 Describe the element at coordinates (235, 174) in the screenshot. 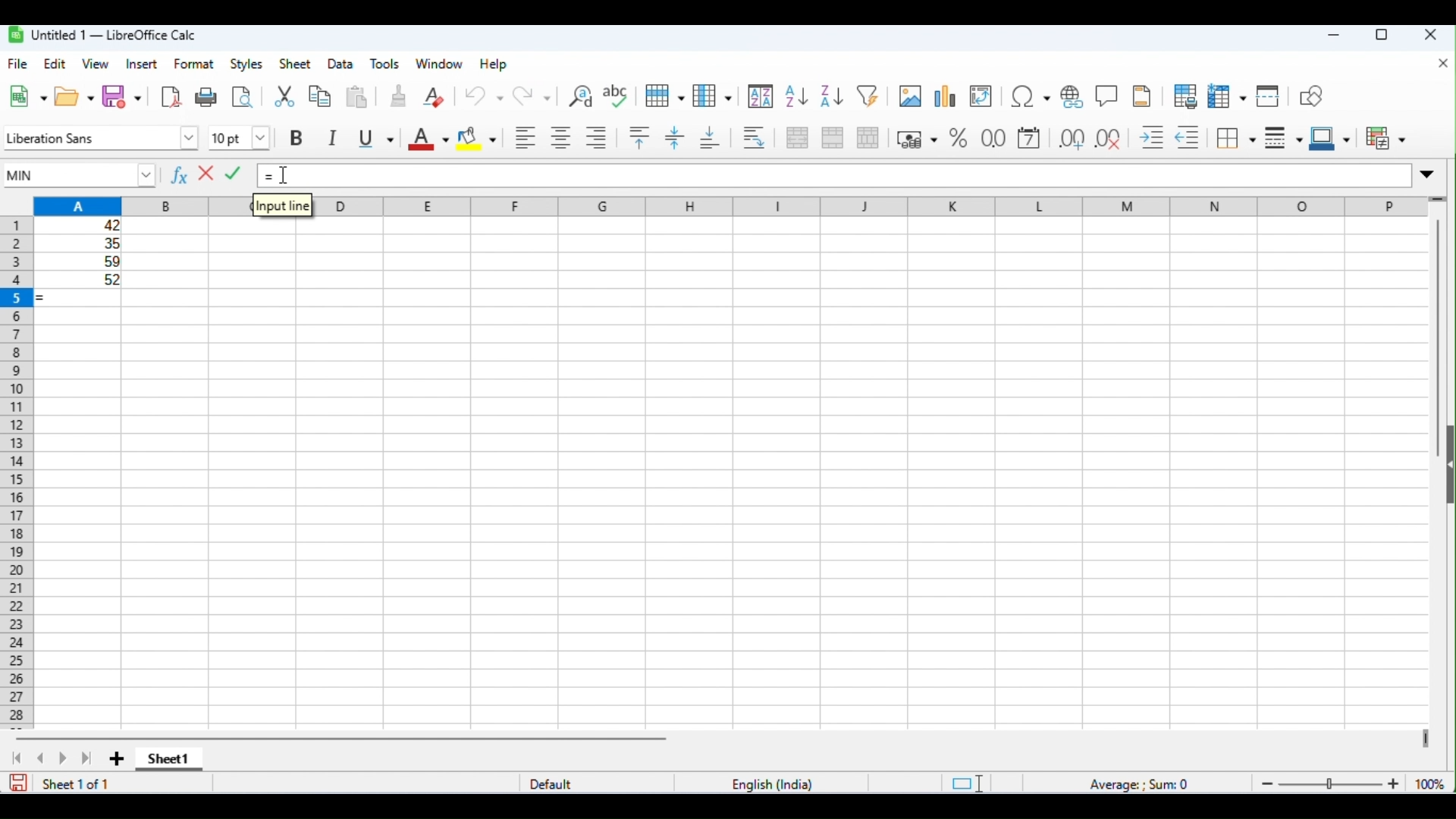

I see `accept` at that location.